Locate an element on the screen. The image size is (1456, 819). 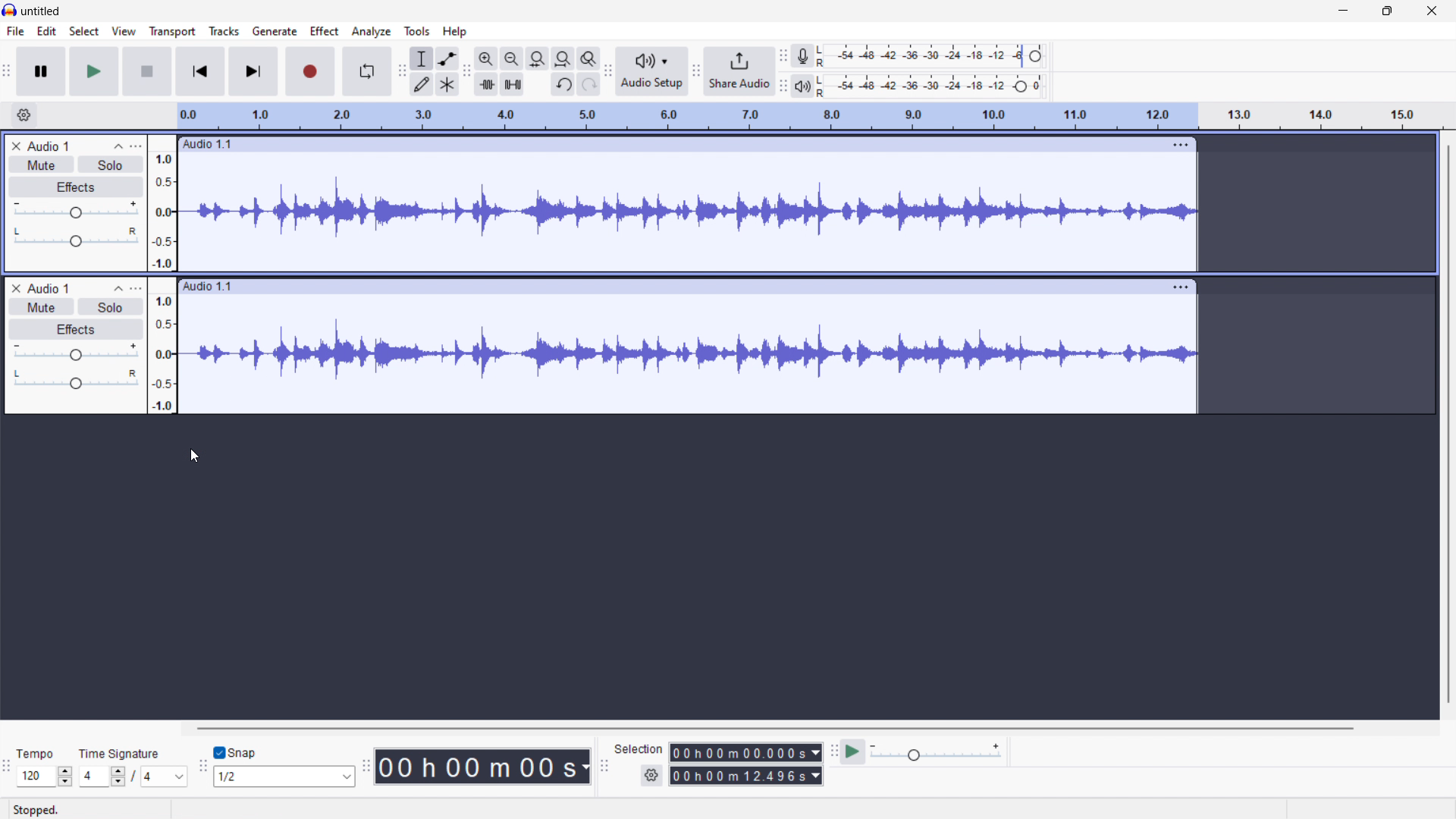
playback speed is located at coordinates (935, 752).